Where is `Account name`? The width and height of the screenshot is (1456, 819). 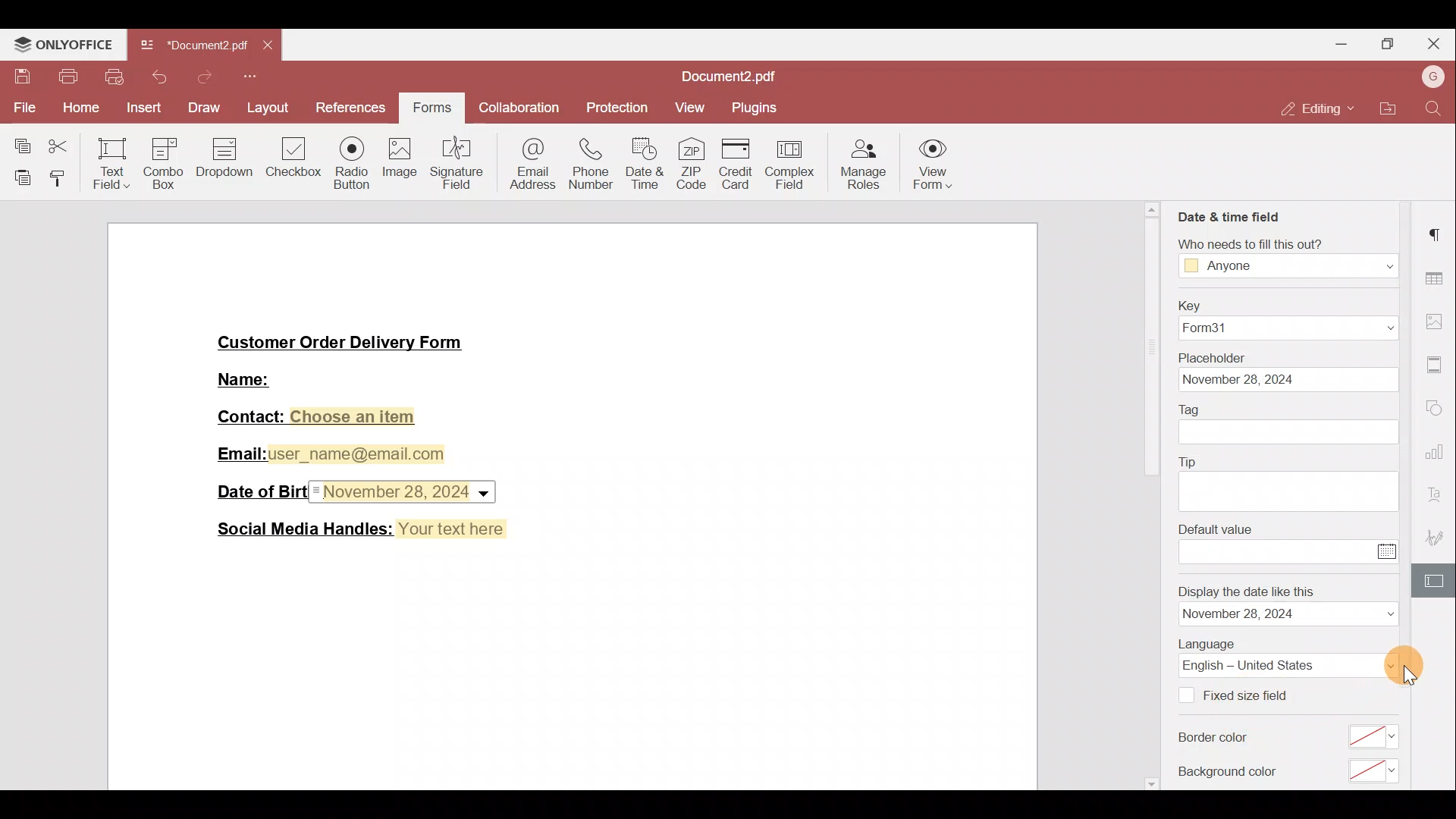 Account name is located at coordinates (1432, 76).